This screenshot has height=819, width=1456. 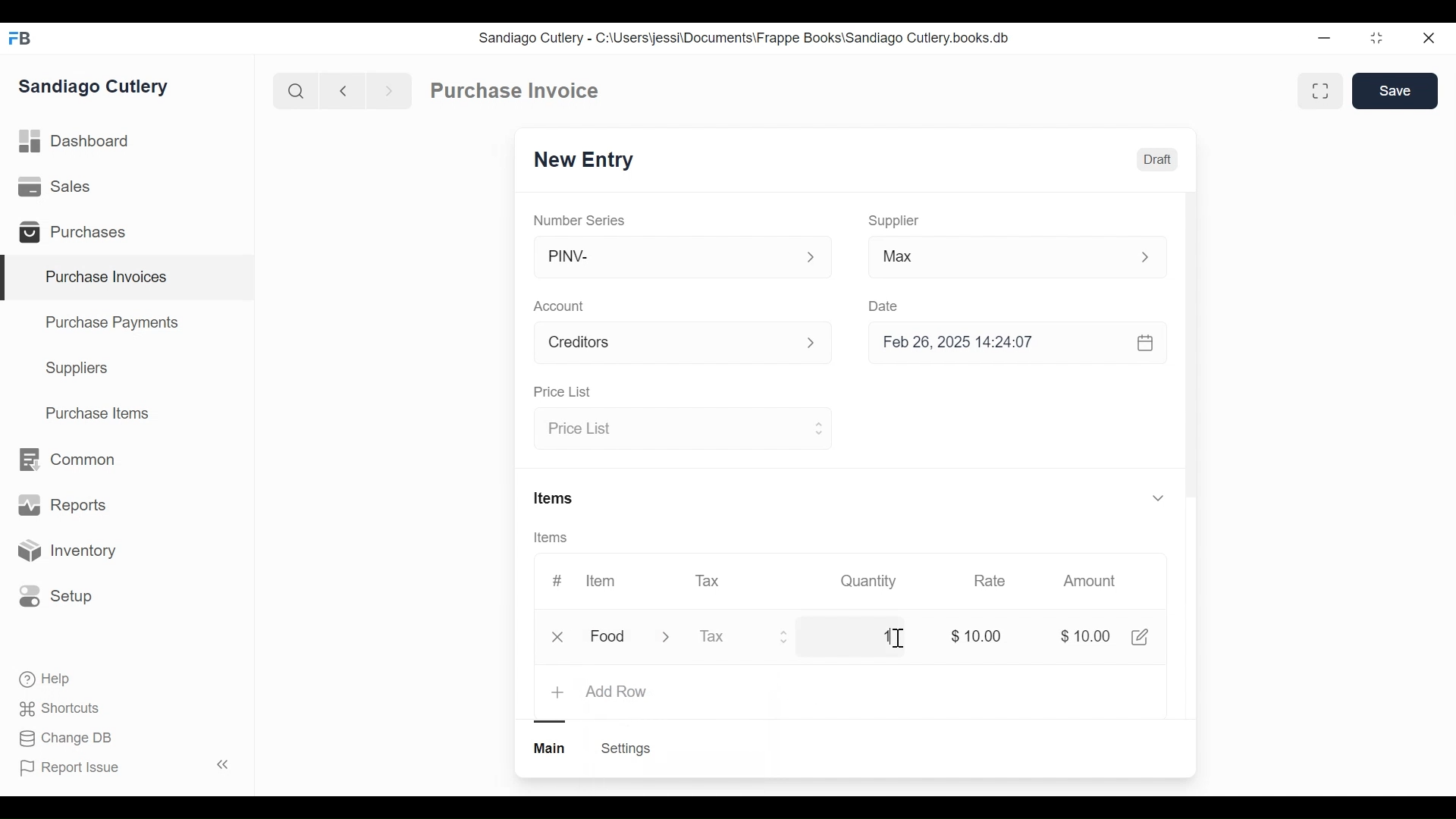 What do you see at coordinates (46, 679) in the screenshot?
I see `Help` at bounding box center [46, 679].